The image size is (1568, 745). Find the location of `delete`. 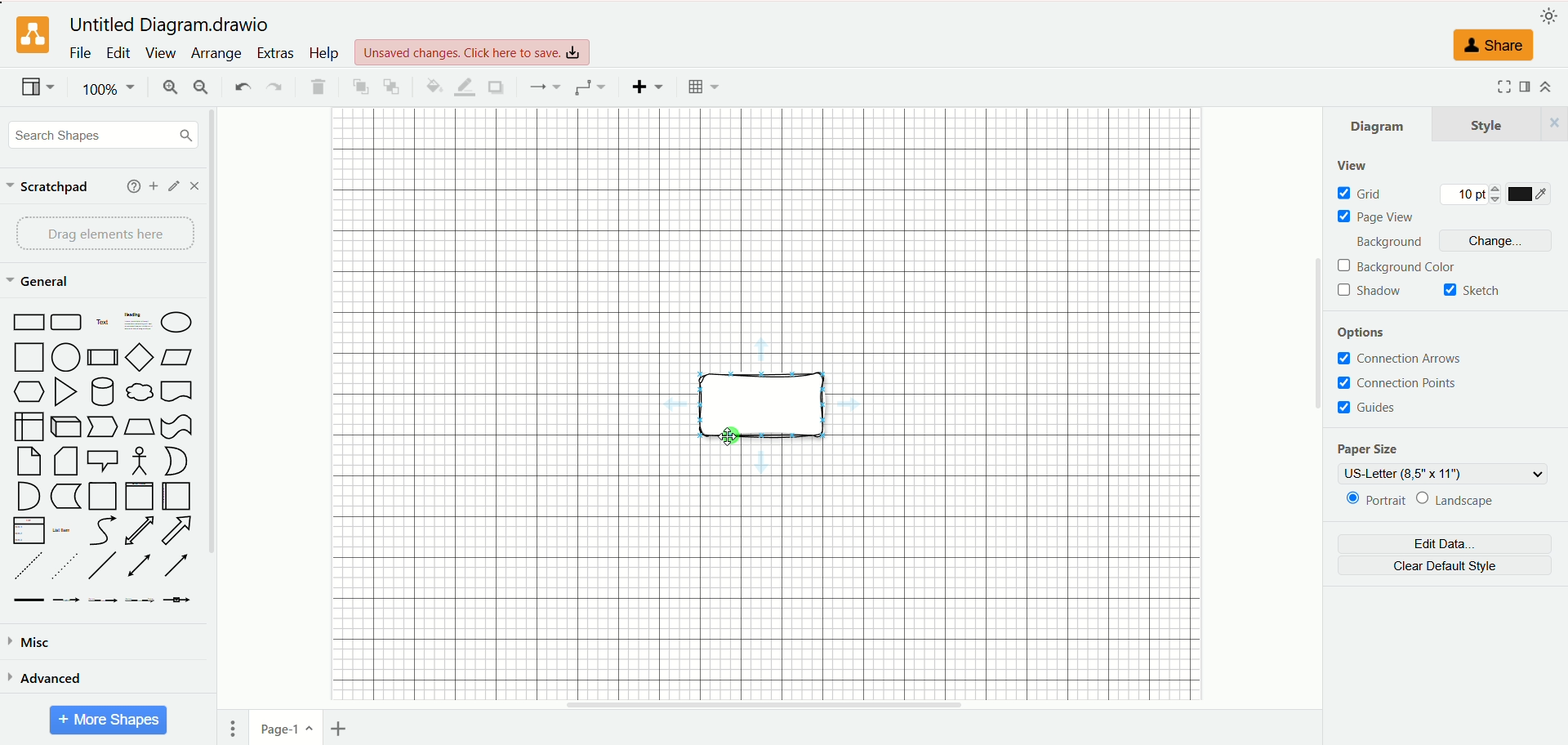

delete is located at coordinates (318, 87).